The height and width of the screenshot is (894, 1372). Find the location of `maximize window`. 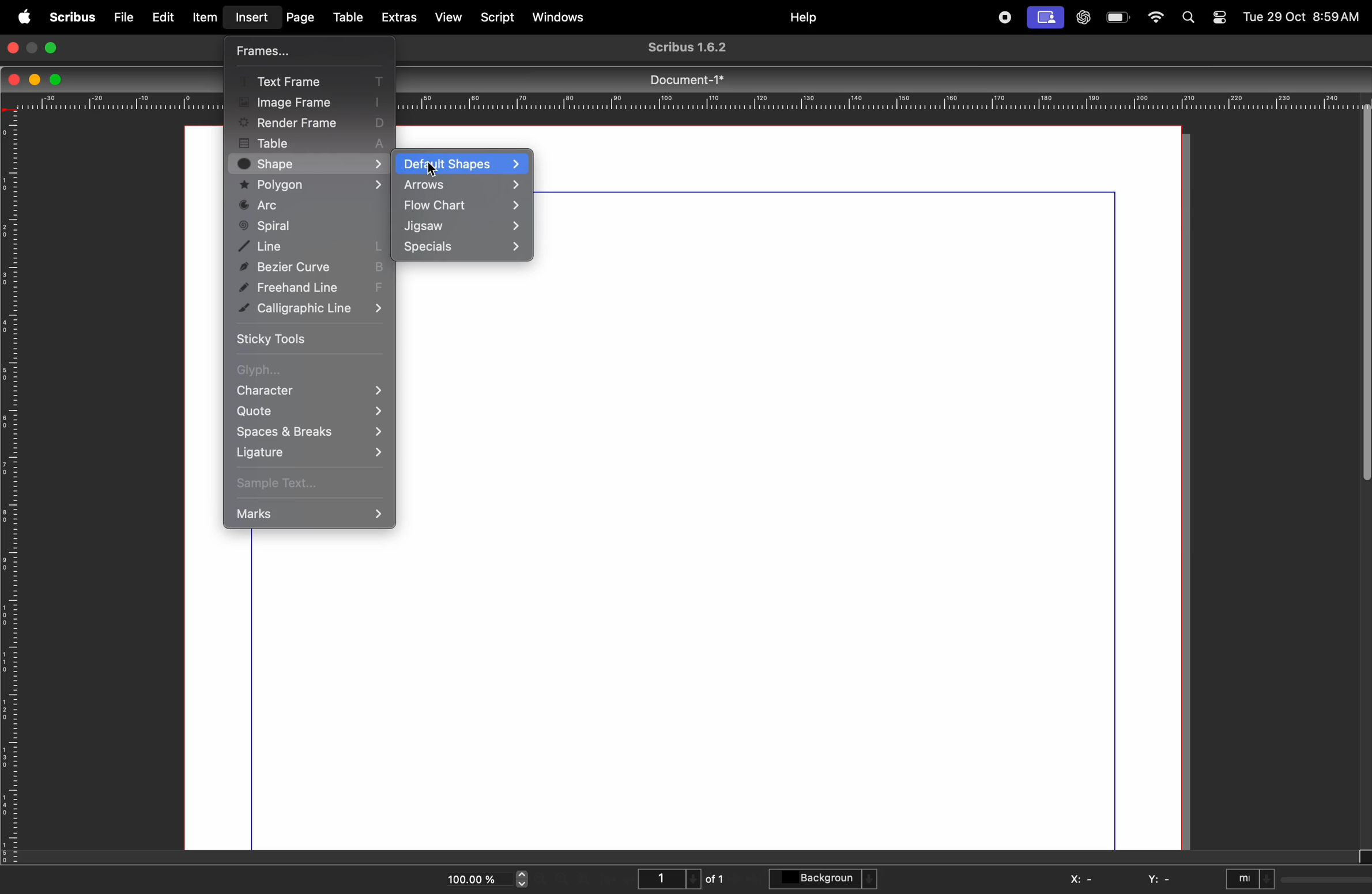

maximize window is located at coordinates (55, 47).